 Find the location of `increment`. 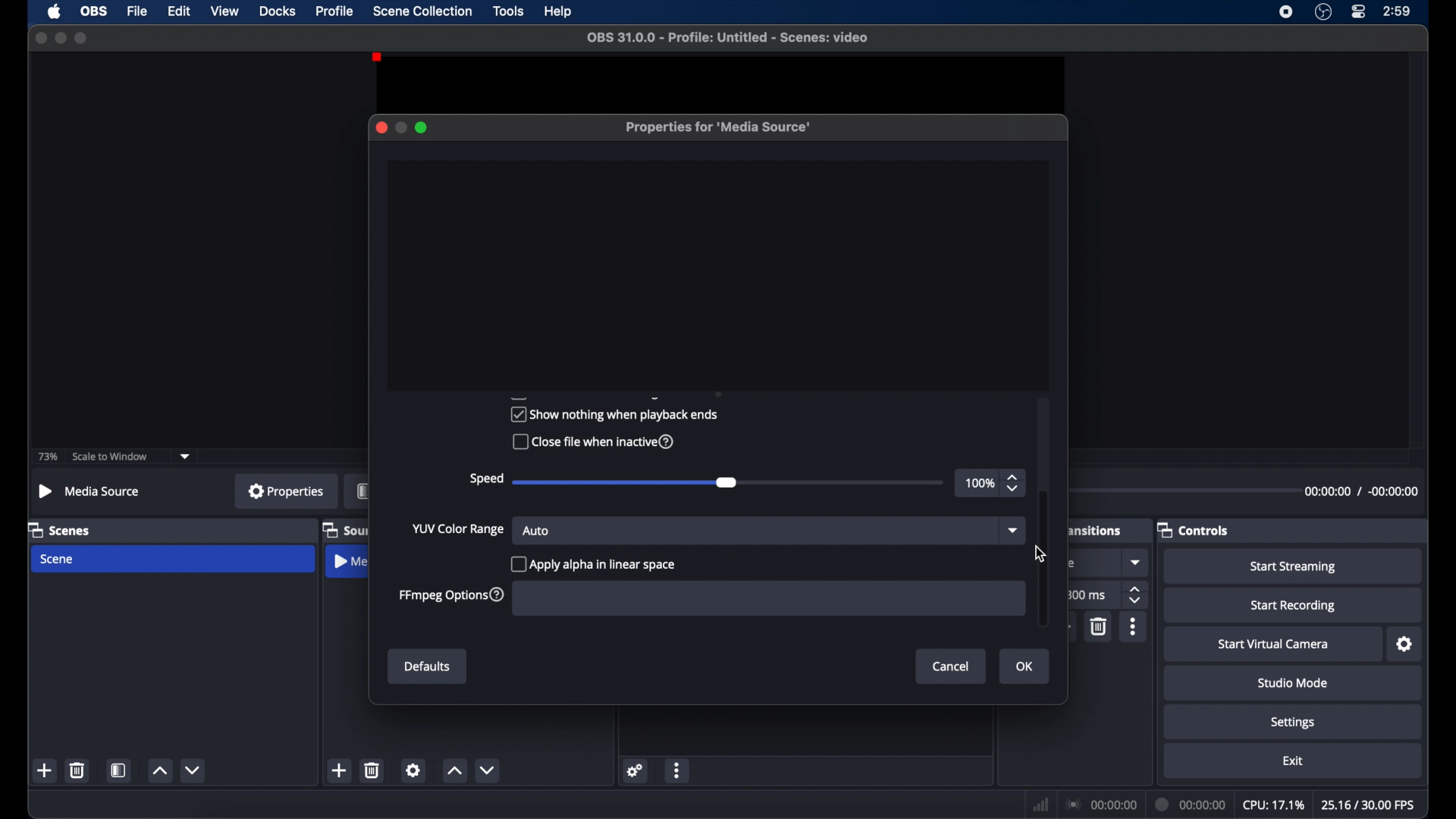

increment is located at coordinates (454, 771).